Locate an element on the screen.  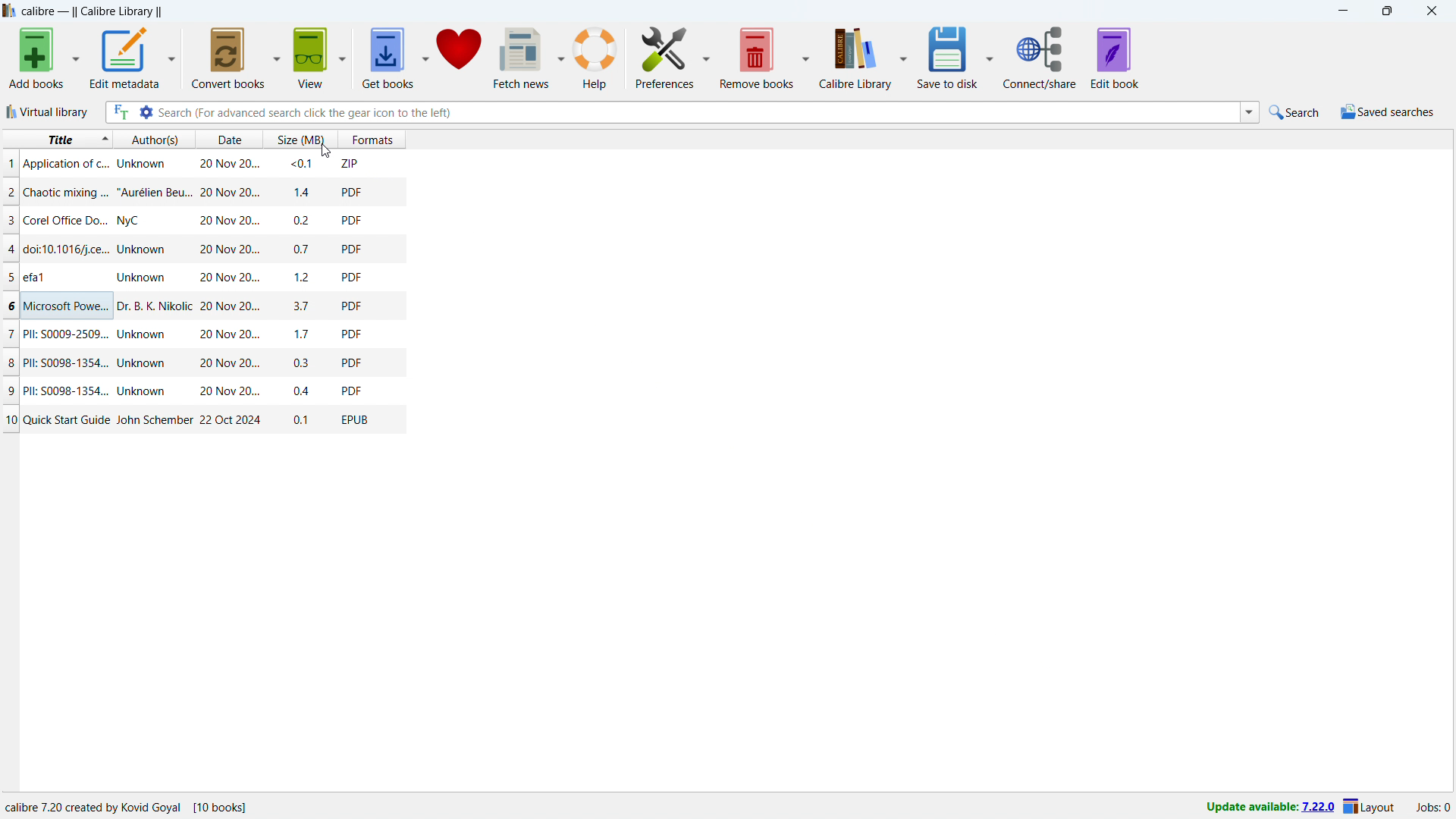
preferences options is located at coordinates (707, 58).